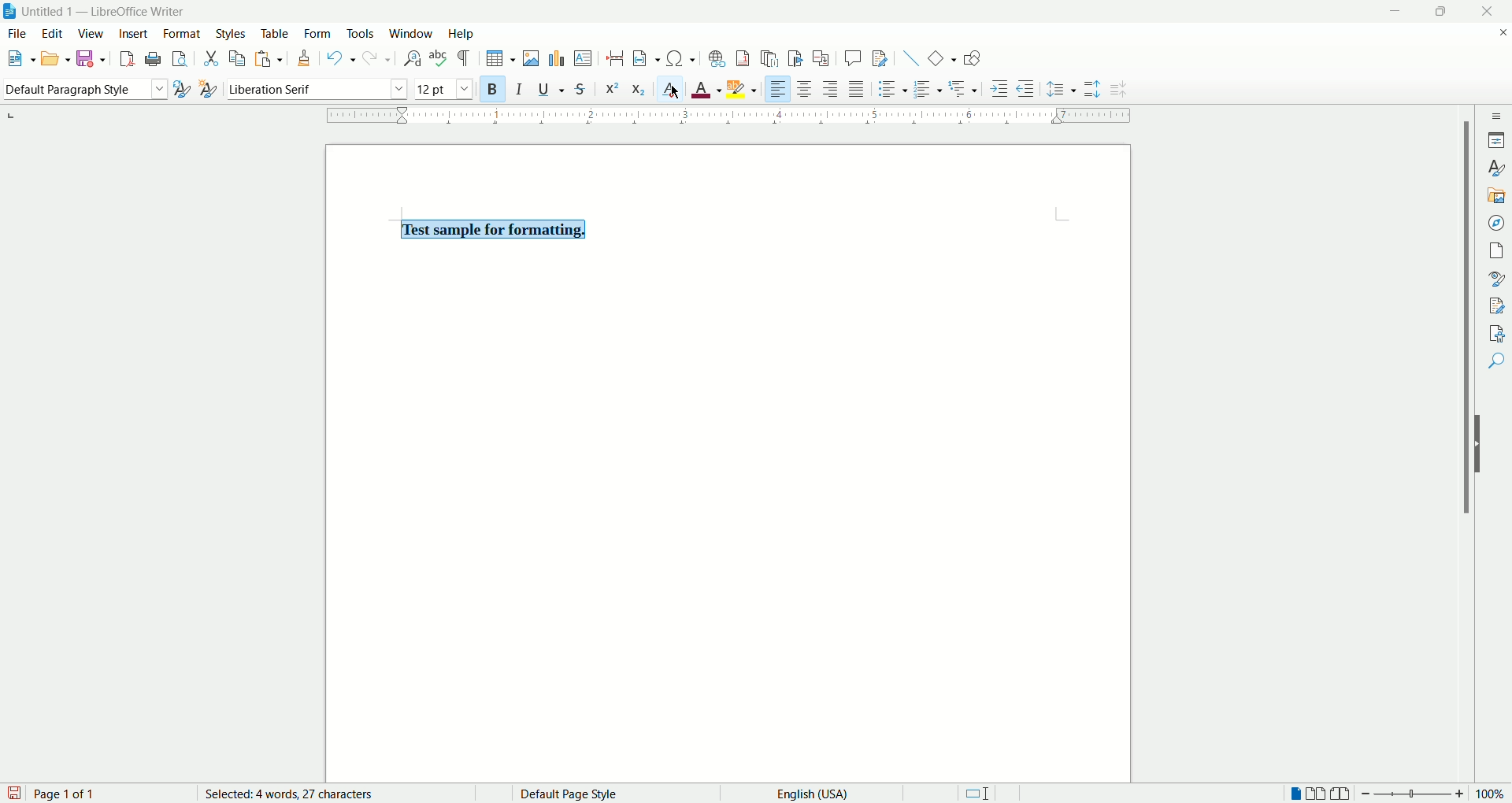 This screenshot has height=803, width=1512. I want to click on font color, so click(708, 91).